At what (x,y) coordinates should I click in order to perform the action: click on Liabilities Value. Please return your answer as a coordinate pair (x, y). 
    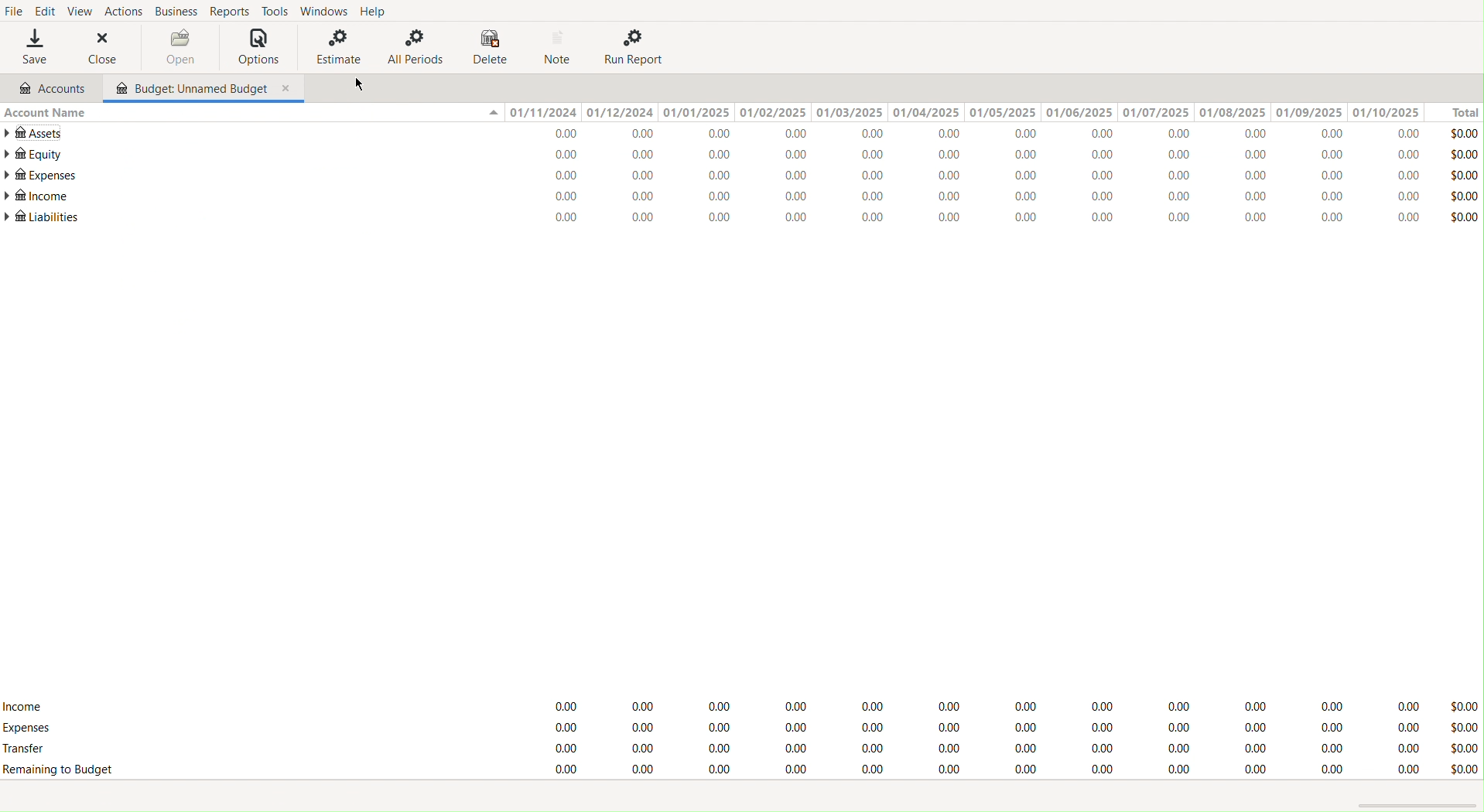
    Looking at the image, I should click on (970, 217).